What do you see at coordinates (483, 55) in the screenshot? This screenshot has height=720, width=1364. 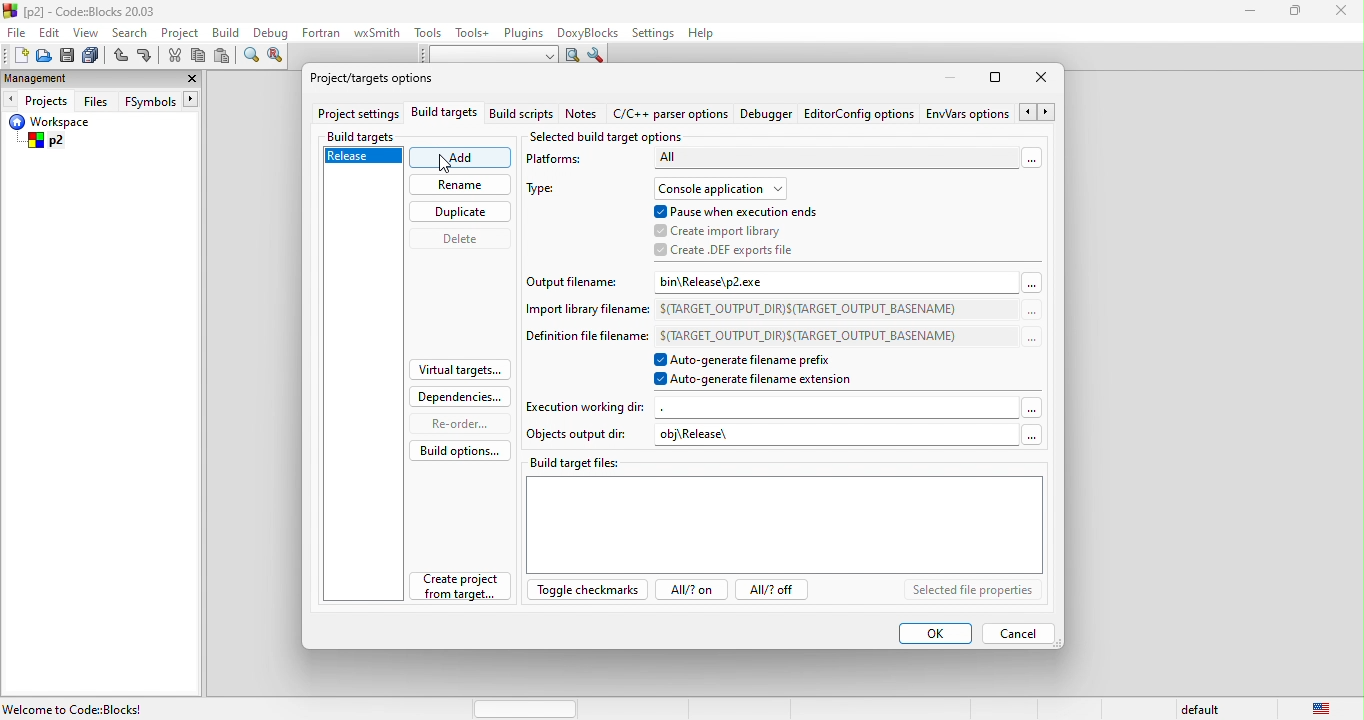 I see `text to search` at bounding box center [483, 55].